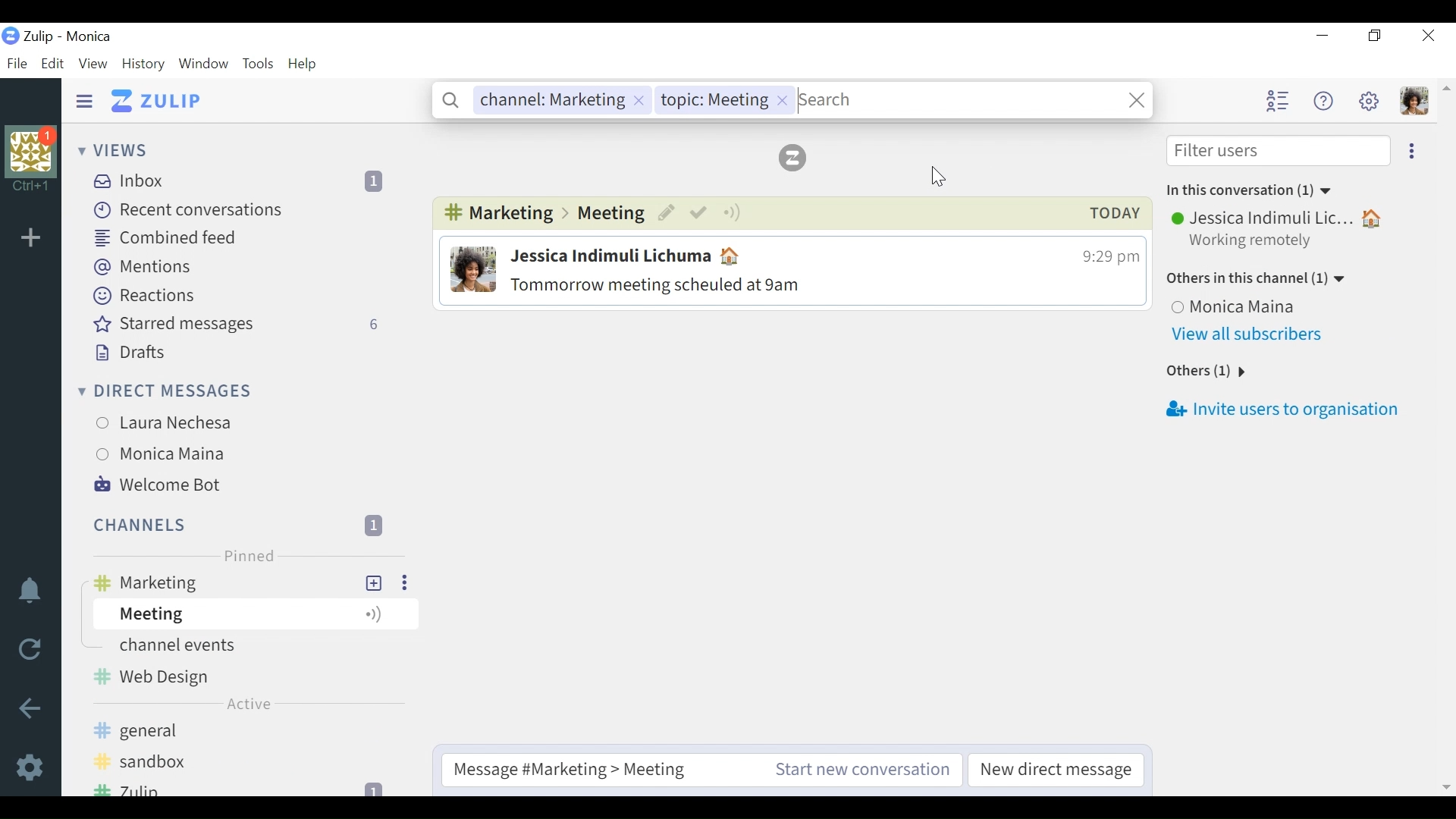 The height and width of the screenshot is (819, 1456). Describe the element at coordinates (635, 254) in the screenshot. I see `Jessica Indimuli Lichuma` at that location.